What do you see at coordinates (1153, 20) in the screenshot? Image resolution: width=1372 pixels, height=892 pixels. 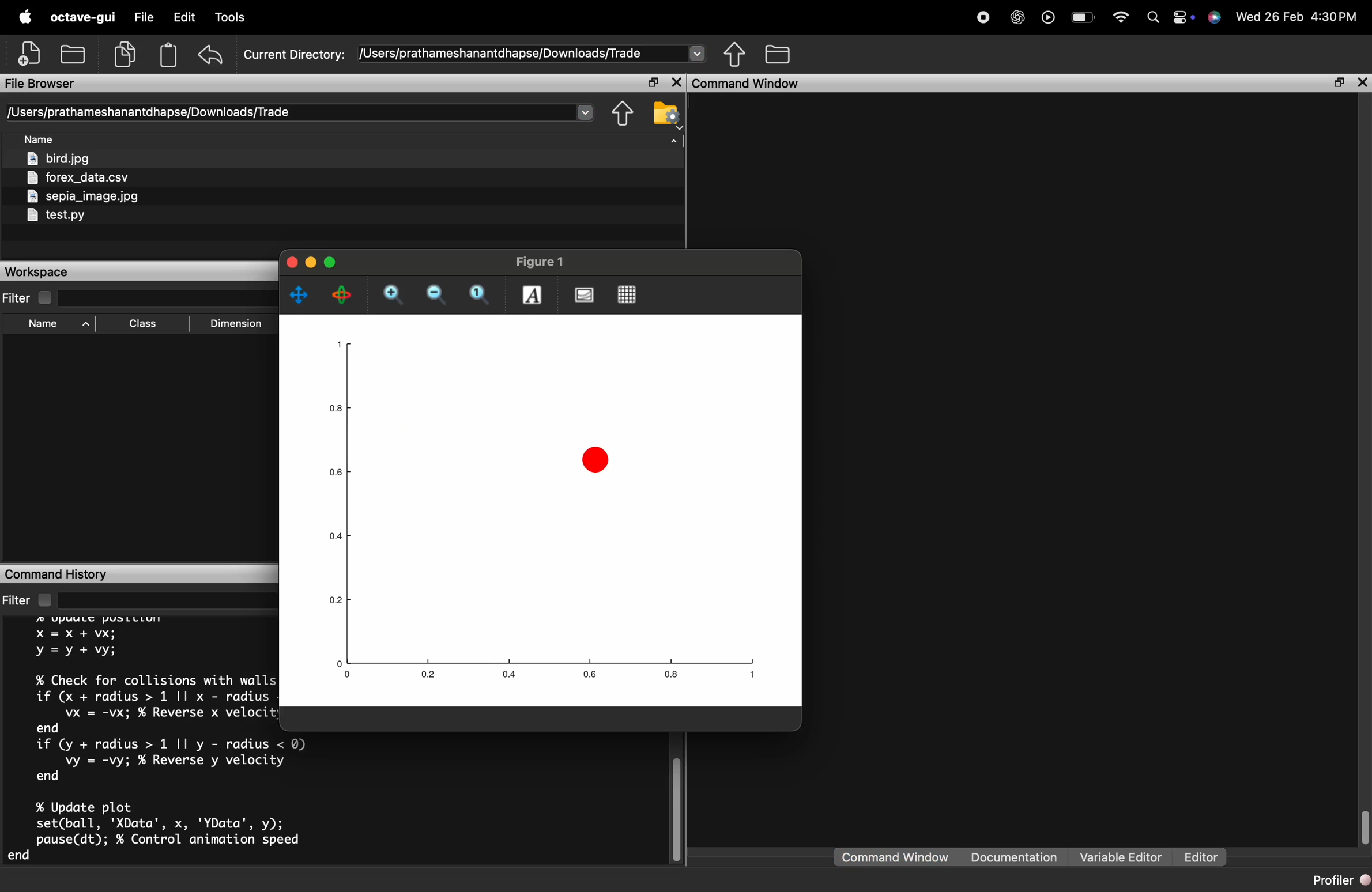 I see `search` at bounding box center [1153, 20].